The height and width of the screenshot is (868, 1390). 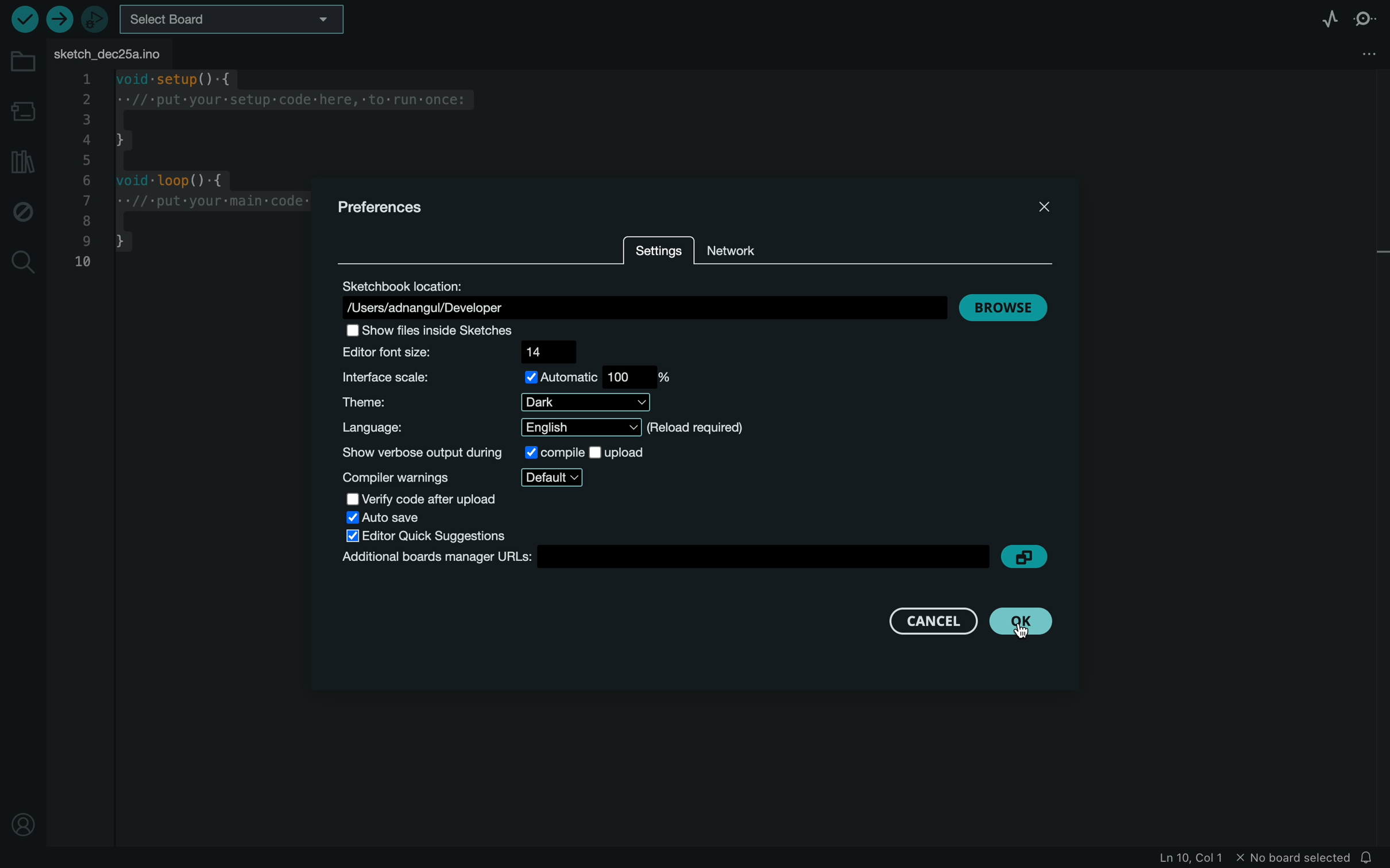 What do you see at coordinates (187, 177) in the screenshot?
I see `code` at bounding box center [187, 177].